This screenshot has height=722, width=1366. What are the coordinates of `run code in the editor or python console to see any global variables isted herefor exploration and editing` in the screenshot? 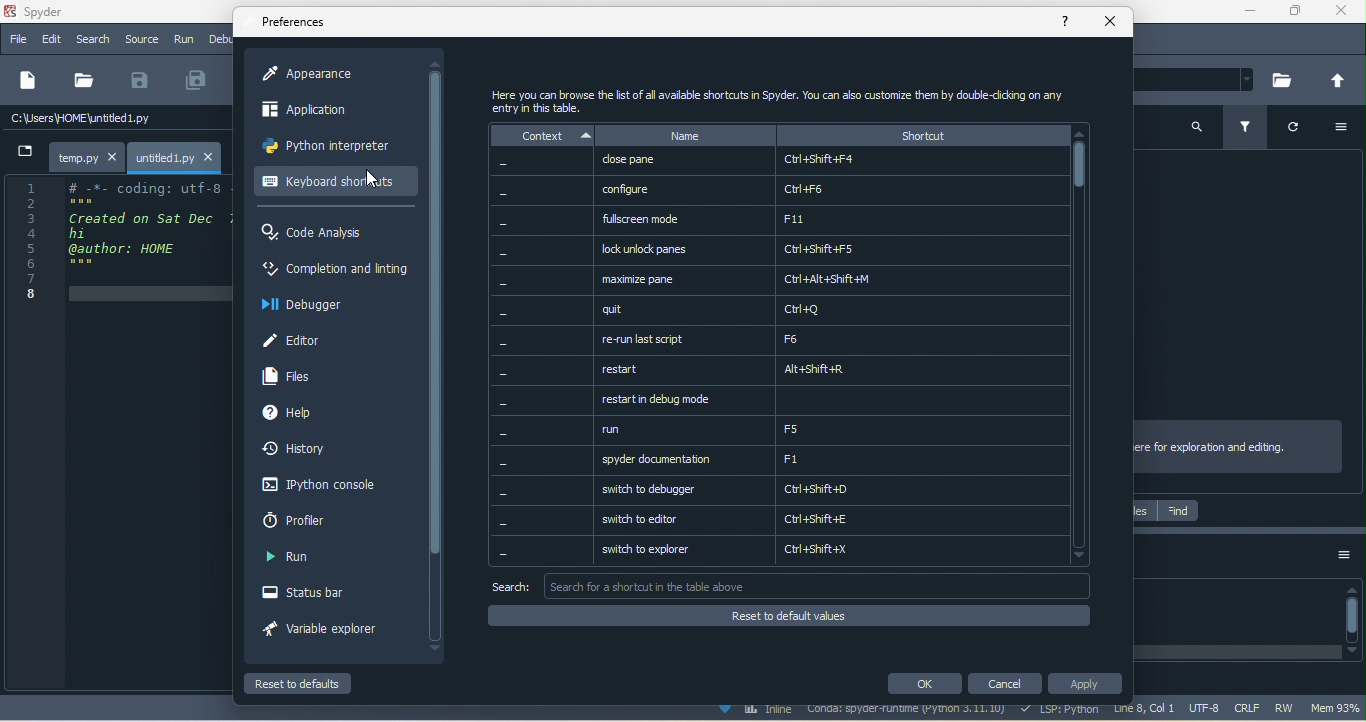 It's located at (1241, 446).